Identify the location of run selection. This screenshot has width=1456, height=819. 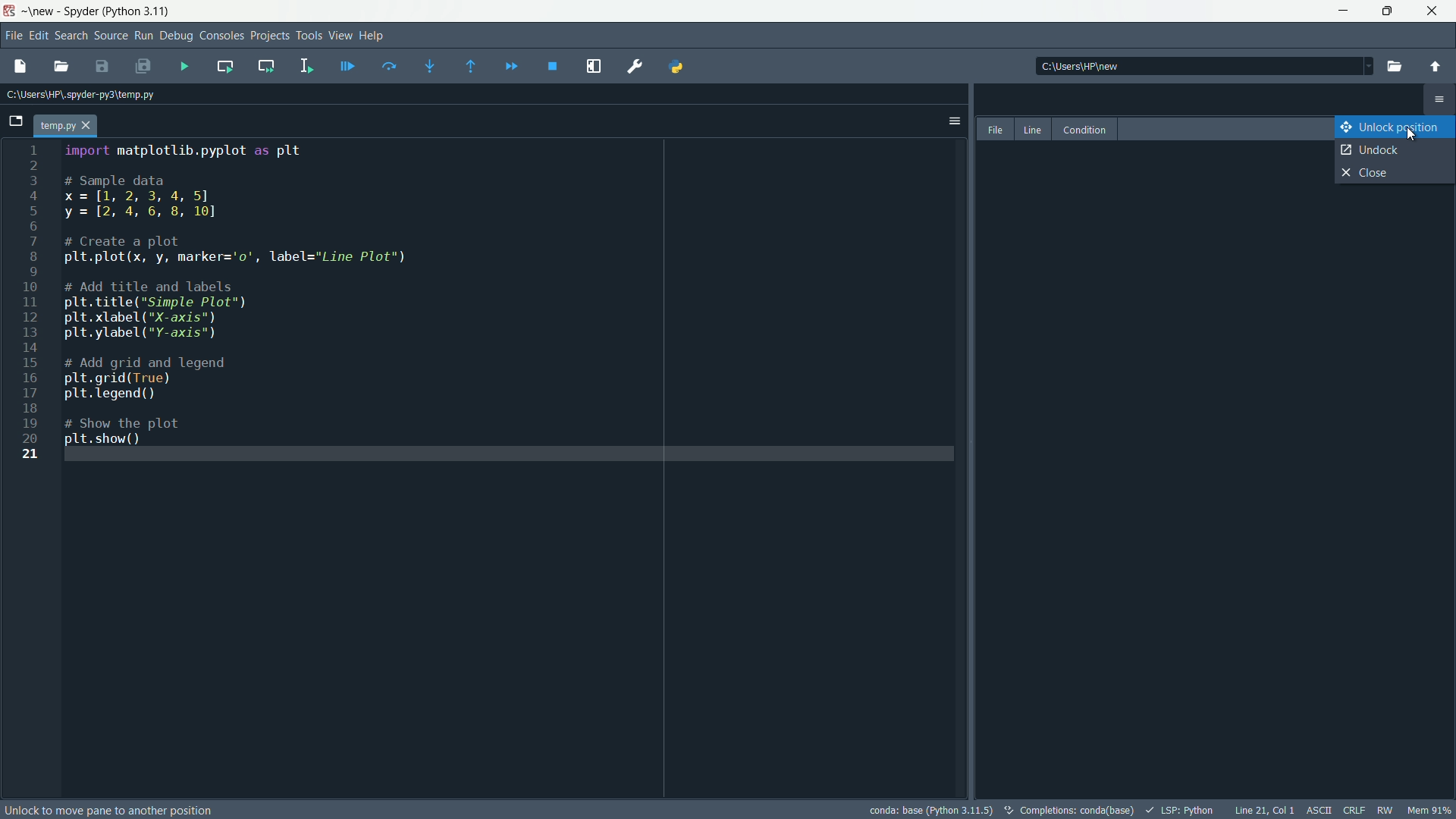
(305, 65).